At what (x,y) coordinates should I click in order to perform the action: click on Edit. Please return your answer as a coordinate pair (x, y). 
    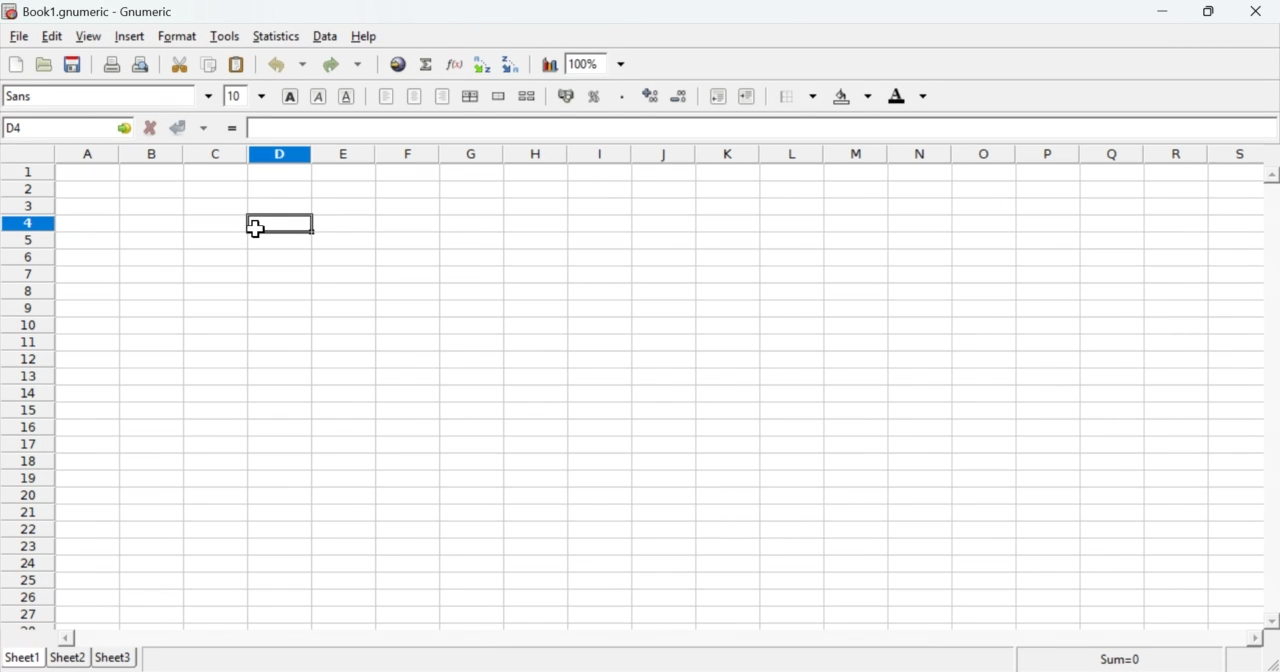
    Looking at the image, I should click on (52, 36).